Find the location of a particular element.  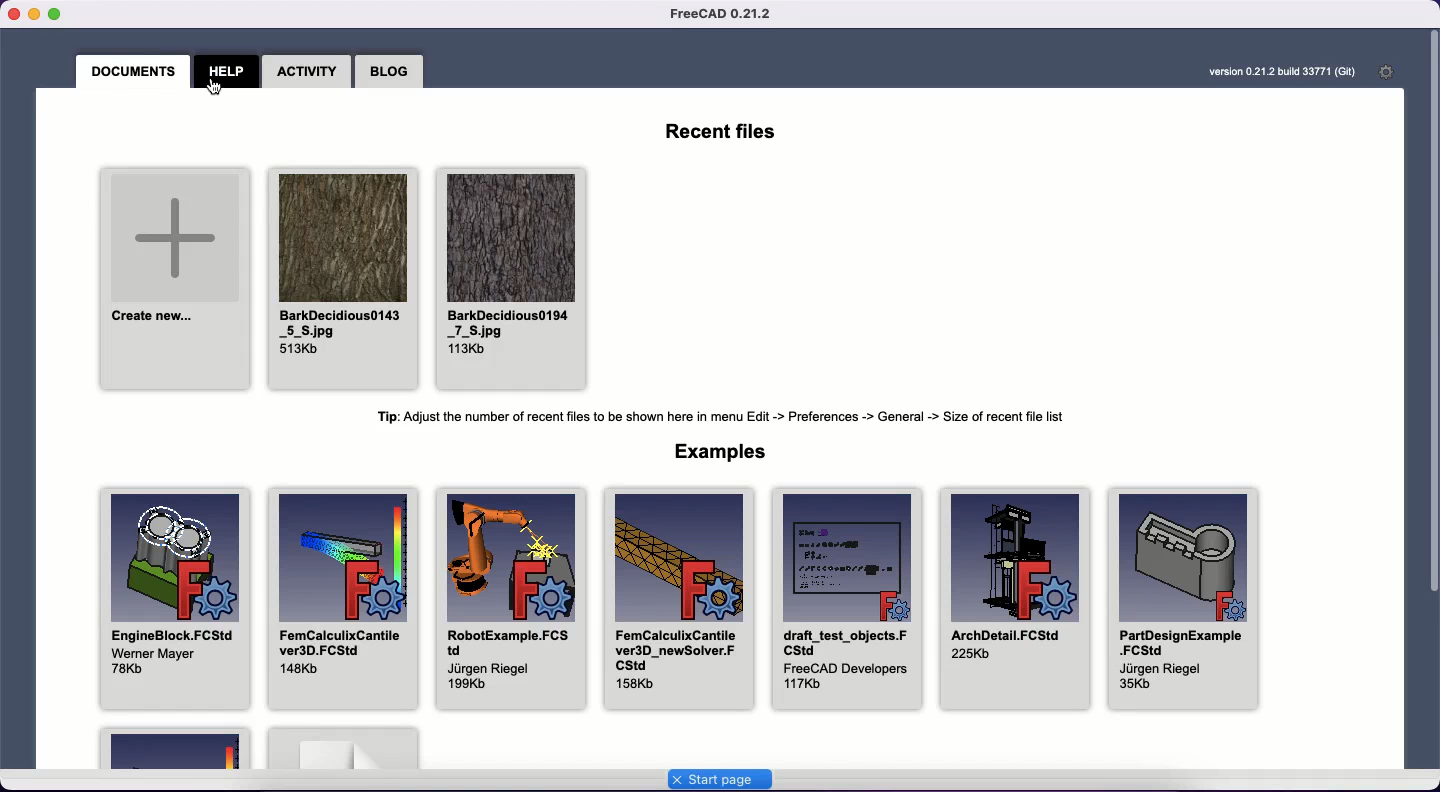

Create new project is located at coordinates (171, 277).